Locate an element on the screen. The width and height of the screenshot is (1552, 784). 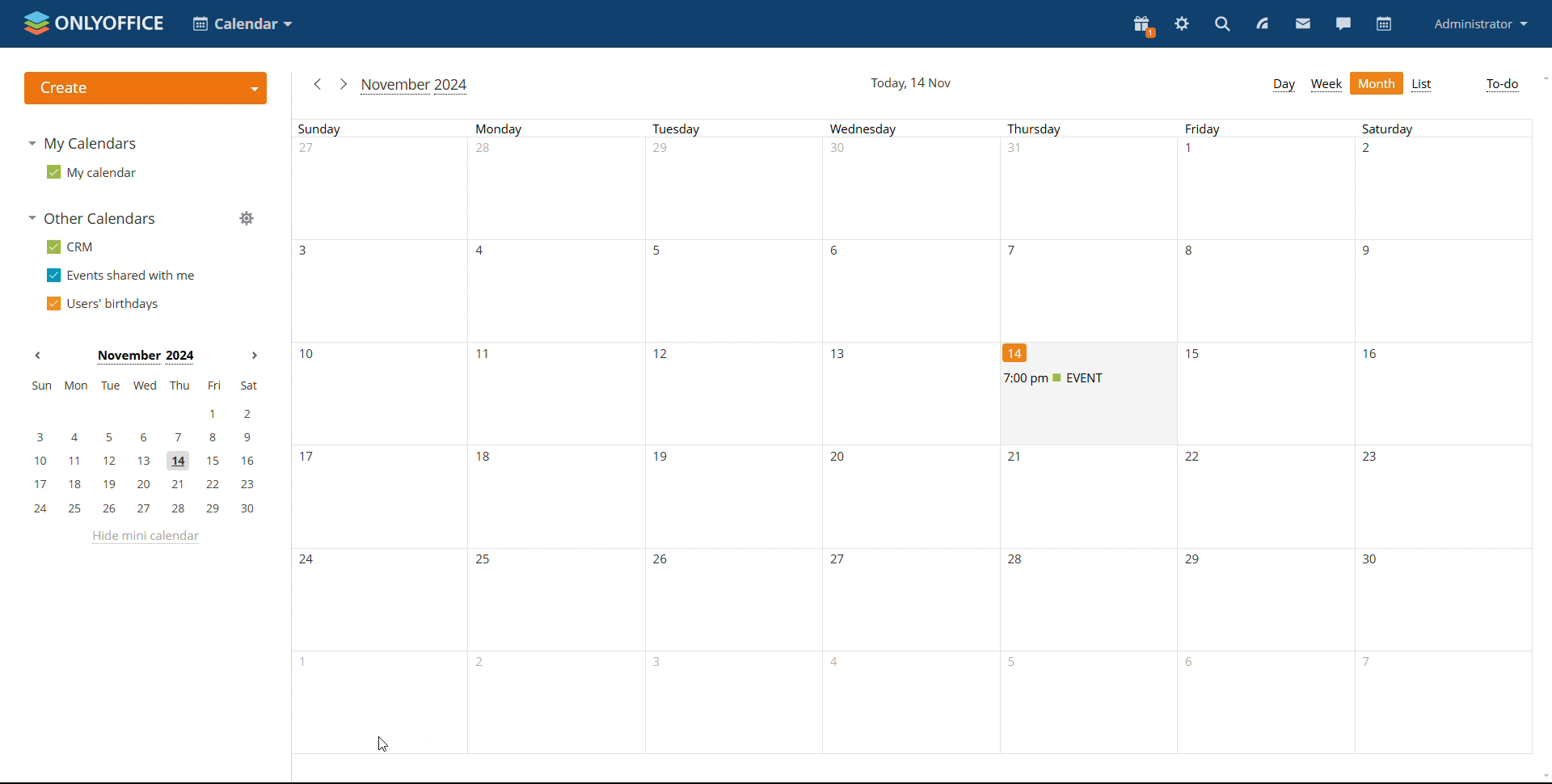
crm is located at coordinates (70, 247).